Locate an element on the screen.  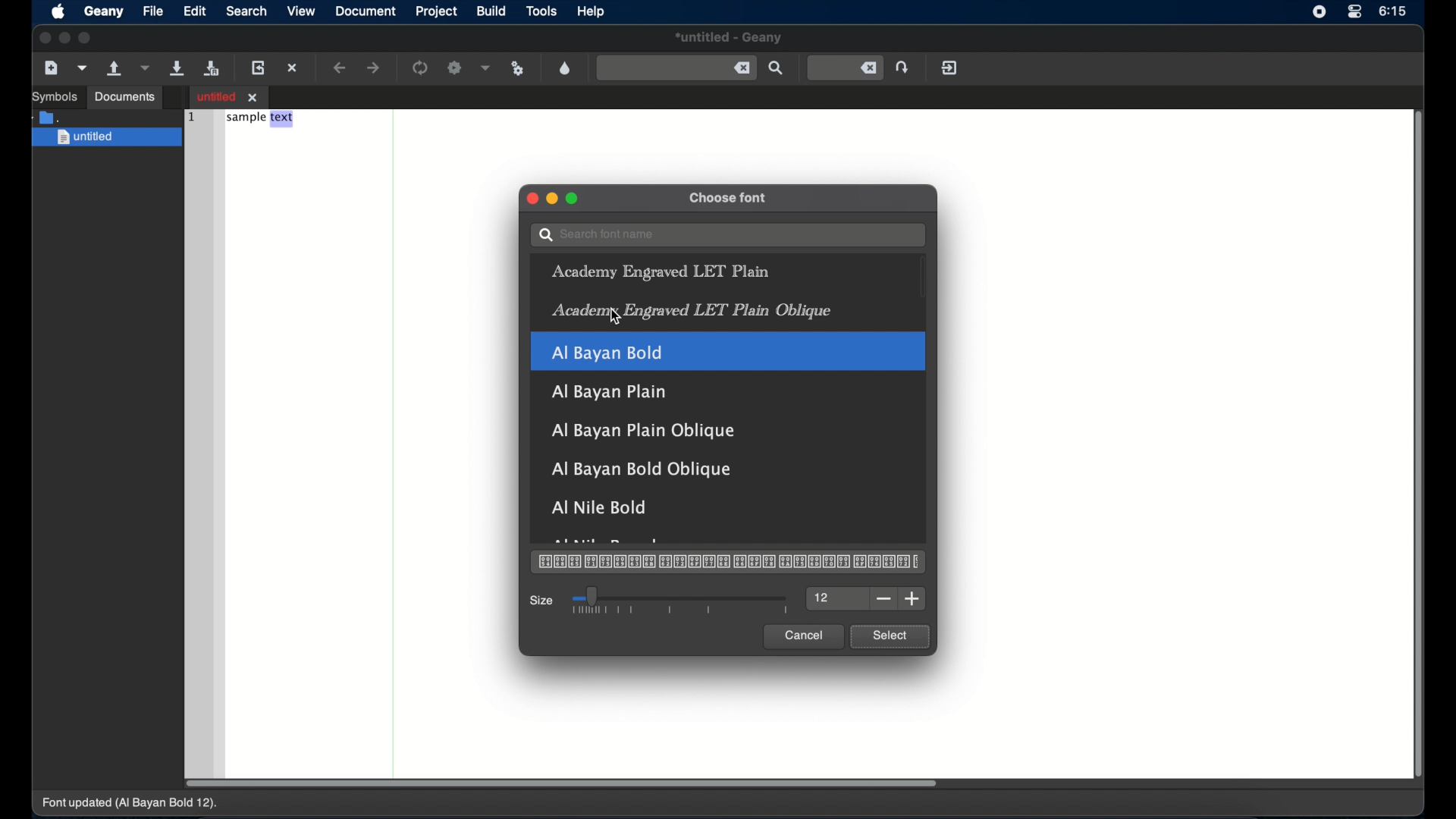
project is located at coordinates (435, 11).